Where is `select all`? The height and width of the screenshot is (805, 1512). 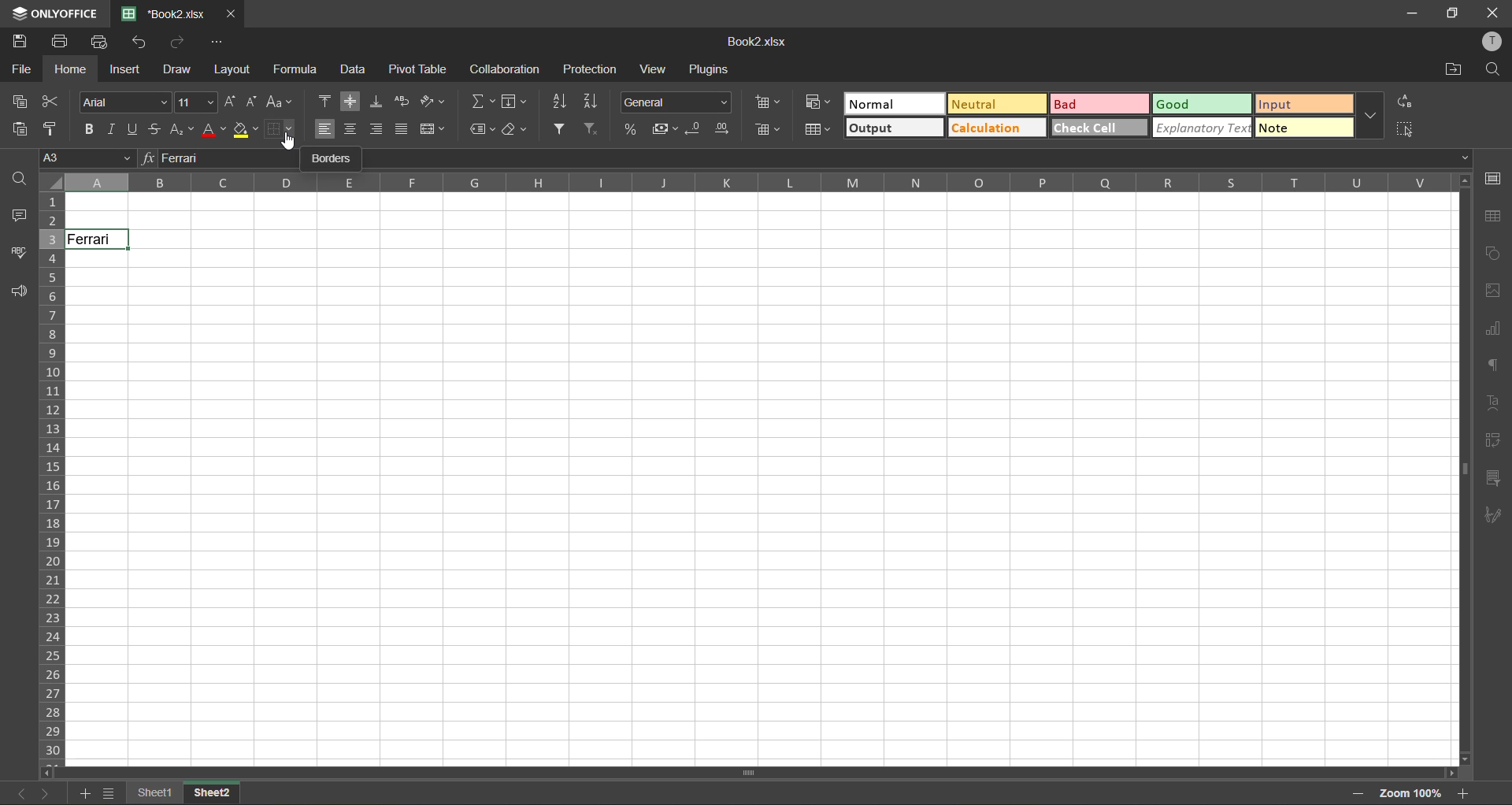
select all is located at coordinates (1408, 129).